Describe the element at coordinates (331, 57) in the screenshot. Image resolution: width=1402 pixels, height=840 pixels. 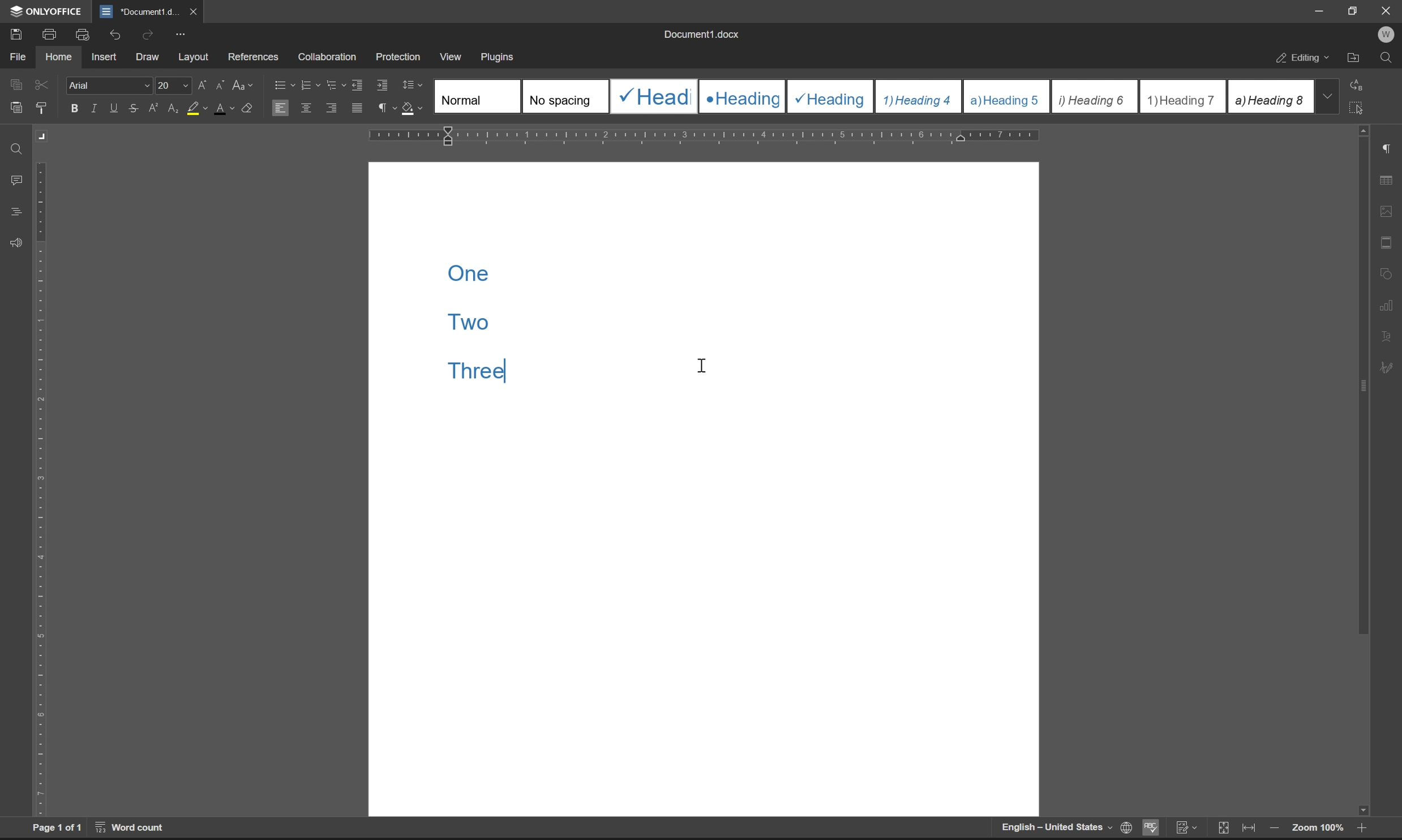
I see `collaboration` at that location.